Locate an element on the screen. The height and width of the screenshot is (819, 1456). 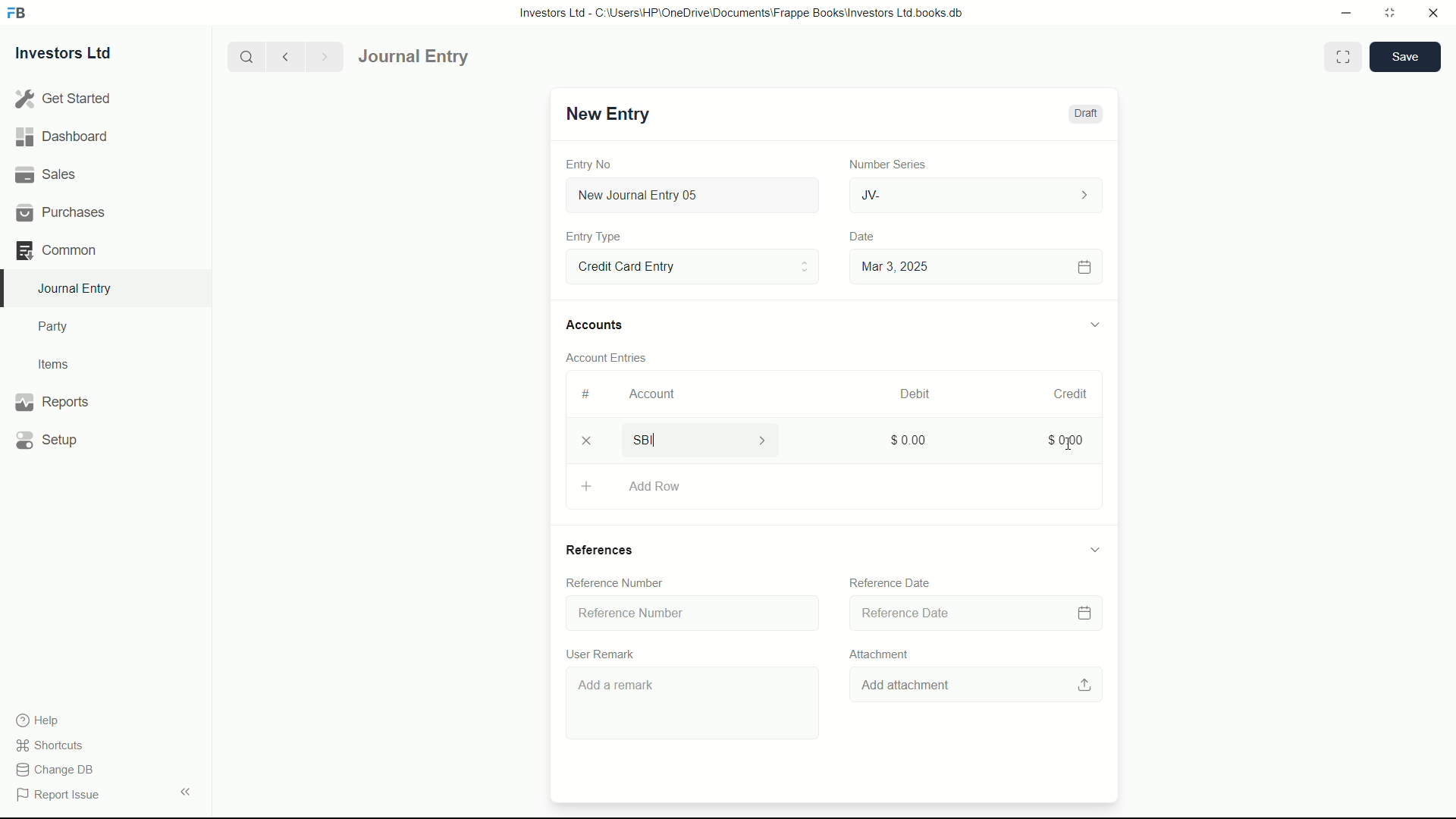
References is located at coordinates (607, 549).